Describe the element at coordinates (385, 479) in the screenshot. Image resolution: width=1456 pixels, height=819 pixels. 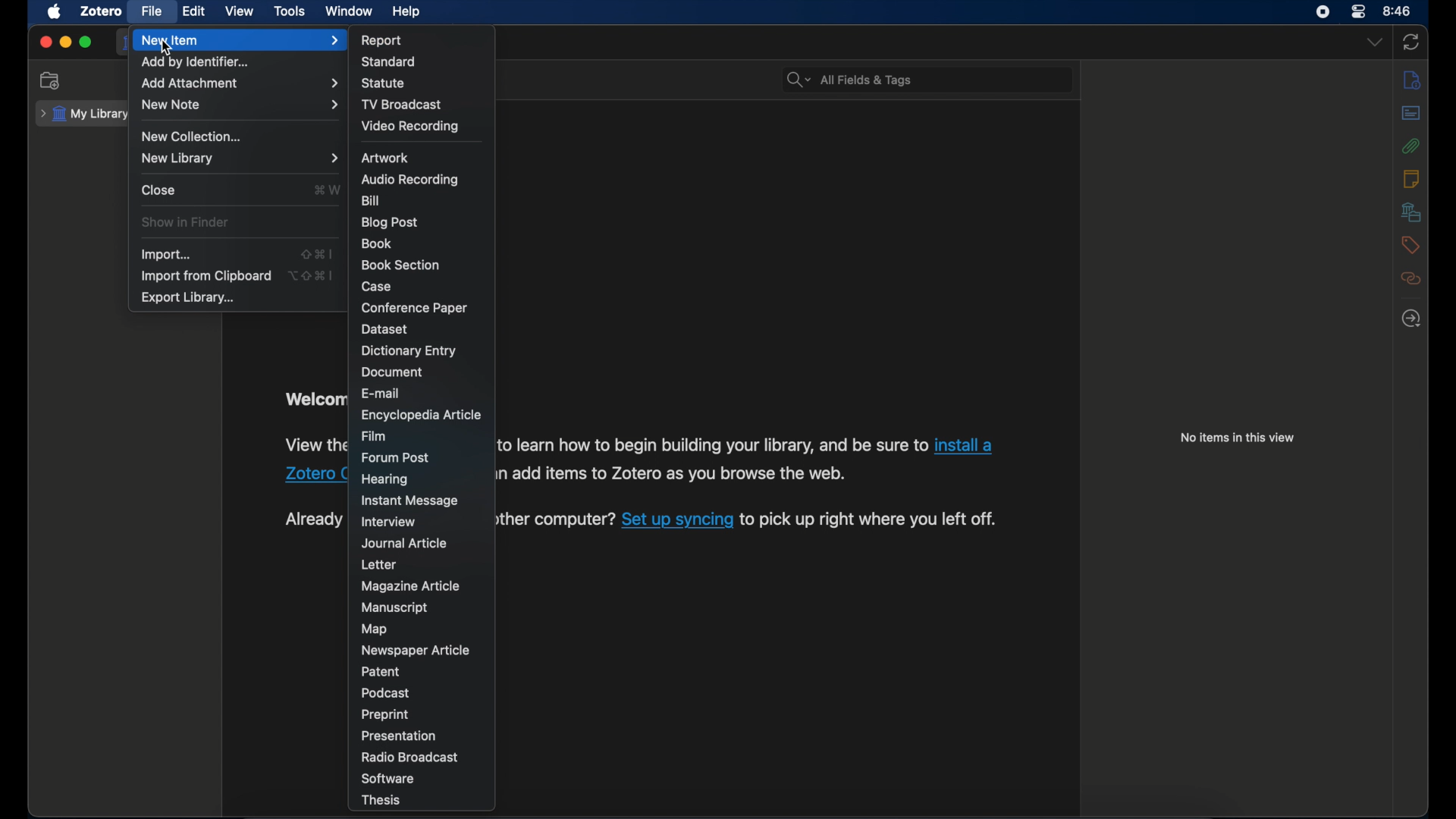
I see `hearing` at that location.